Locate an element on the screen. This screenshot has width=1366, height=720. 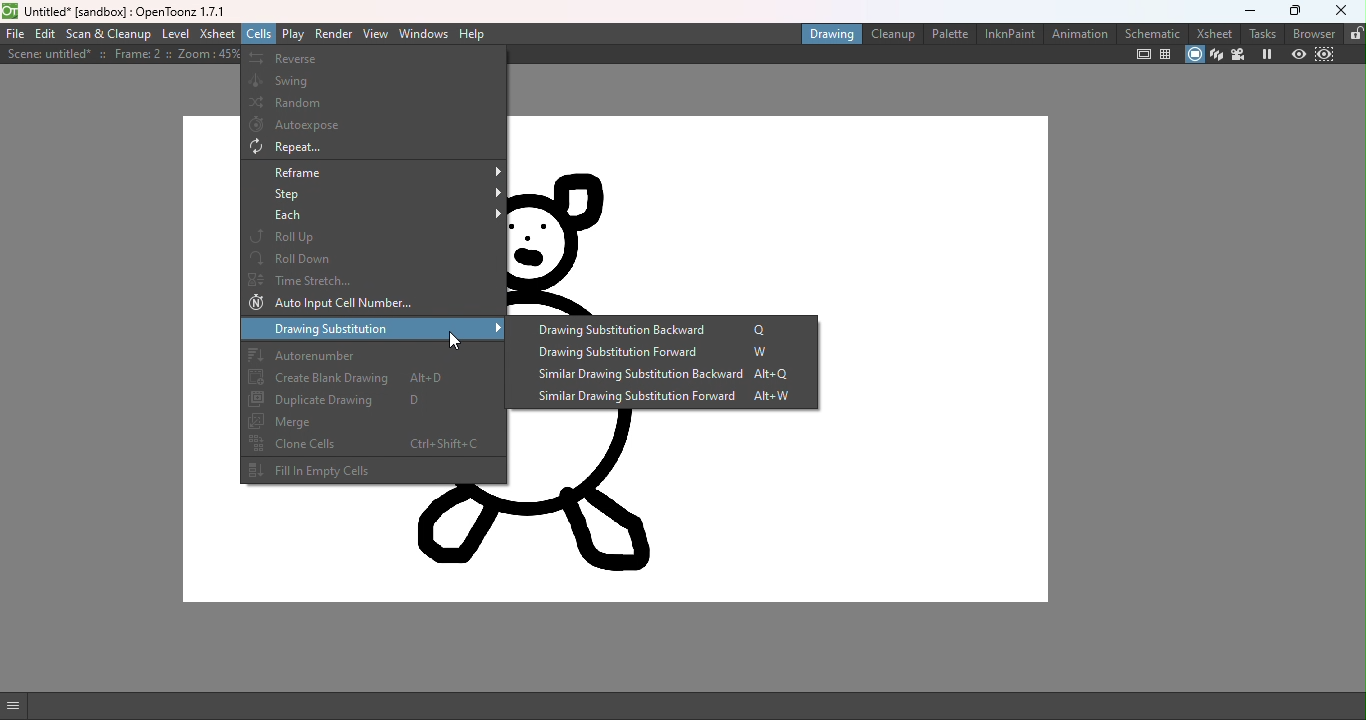
Reverse is located at coordinates (373, 59).